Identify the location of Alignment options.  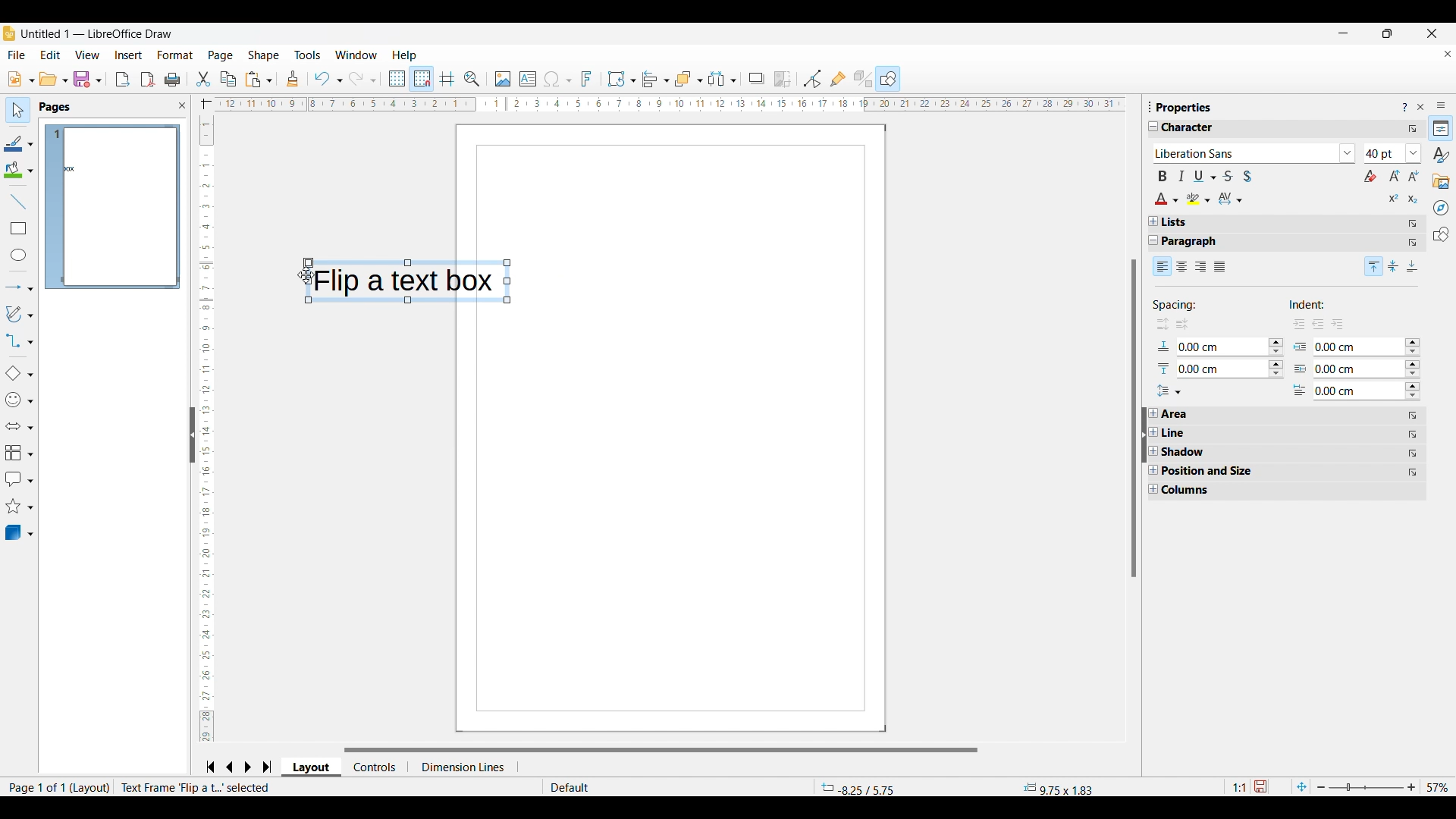
(655, 80).